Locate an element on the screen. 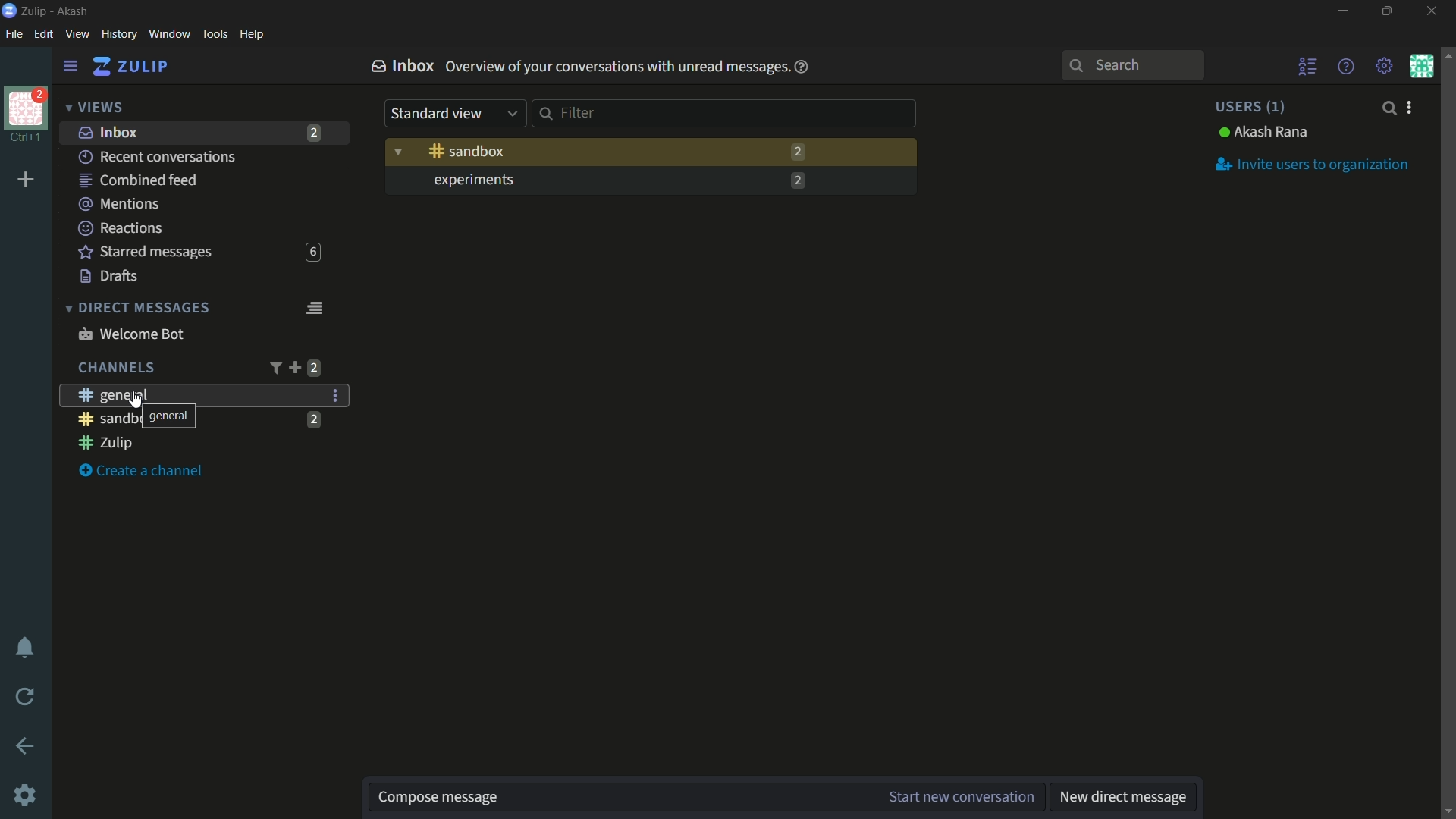 The width and height of the screenshot is (1456, 819). channels is located at coordinates (115, 368).